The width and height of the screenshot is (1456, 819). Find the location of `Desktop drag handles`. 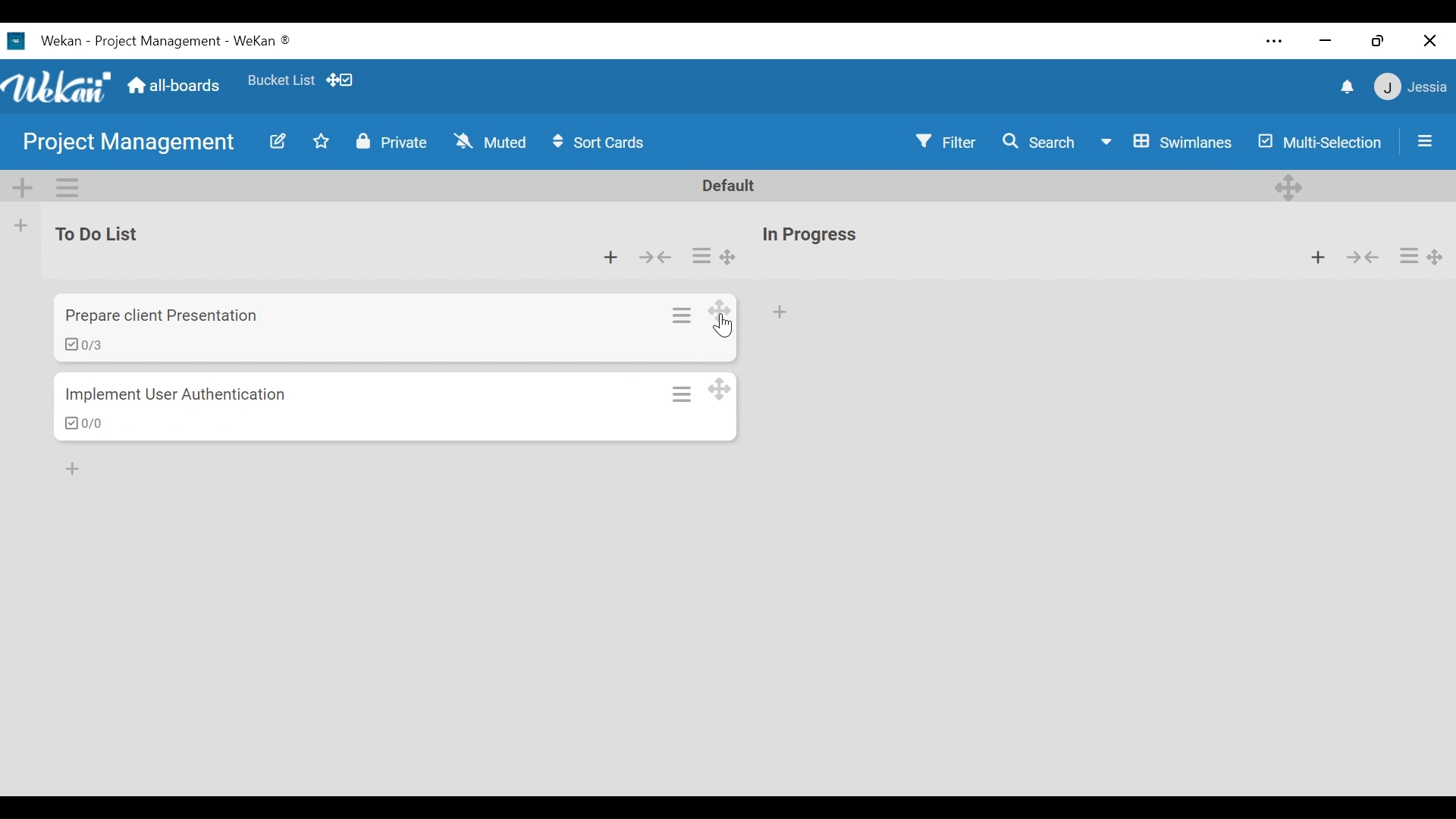

Desktop drag handles is located at coordinates (720, 311).